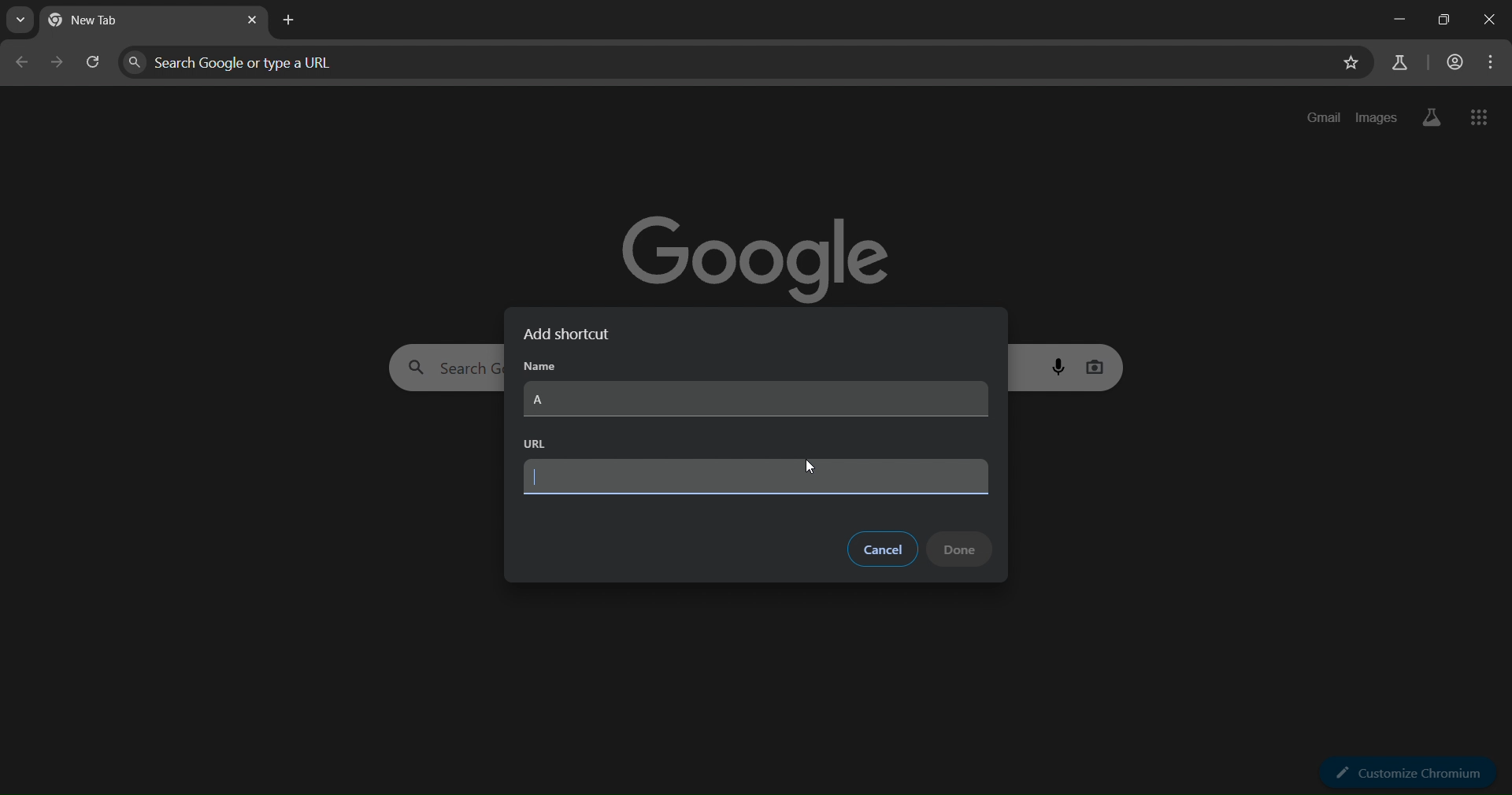 The height and width of the screenshot is (795, 1512). What do you see at coordinates (1454, 63) in the screenshot?
I see `account` at bounding box center [1454, 63].